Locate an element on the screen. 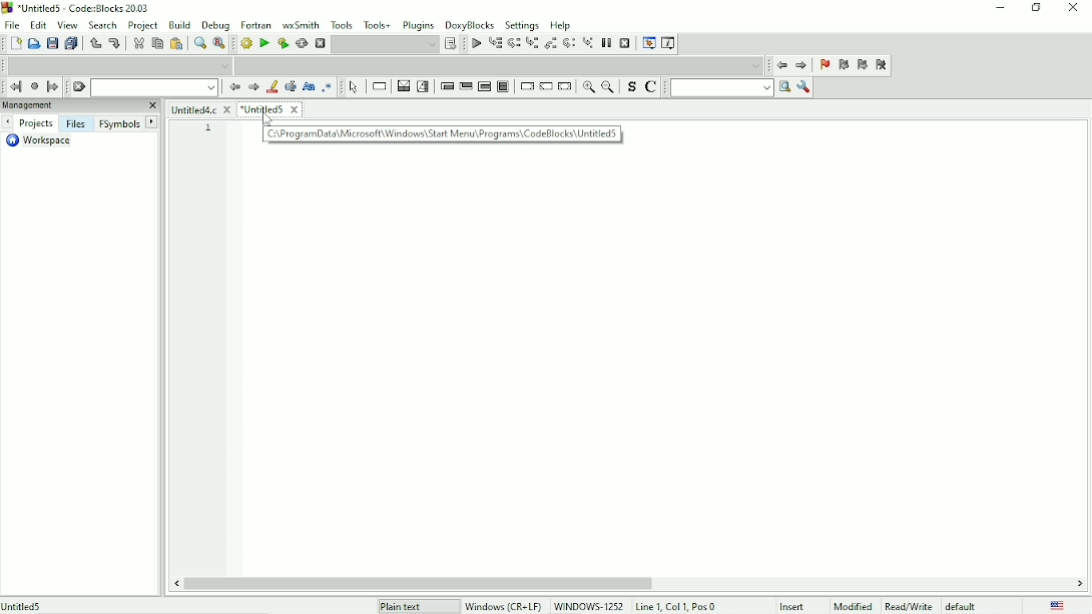 Image resolution: width=1092 pixels, height=614 pixels. Next bookmark is located at coordinates (862, 64).